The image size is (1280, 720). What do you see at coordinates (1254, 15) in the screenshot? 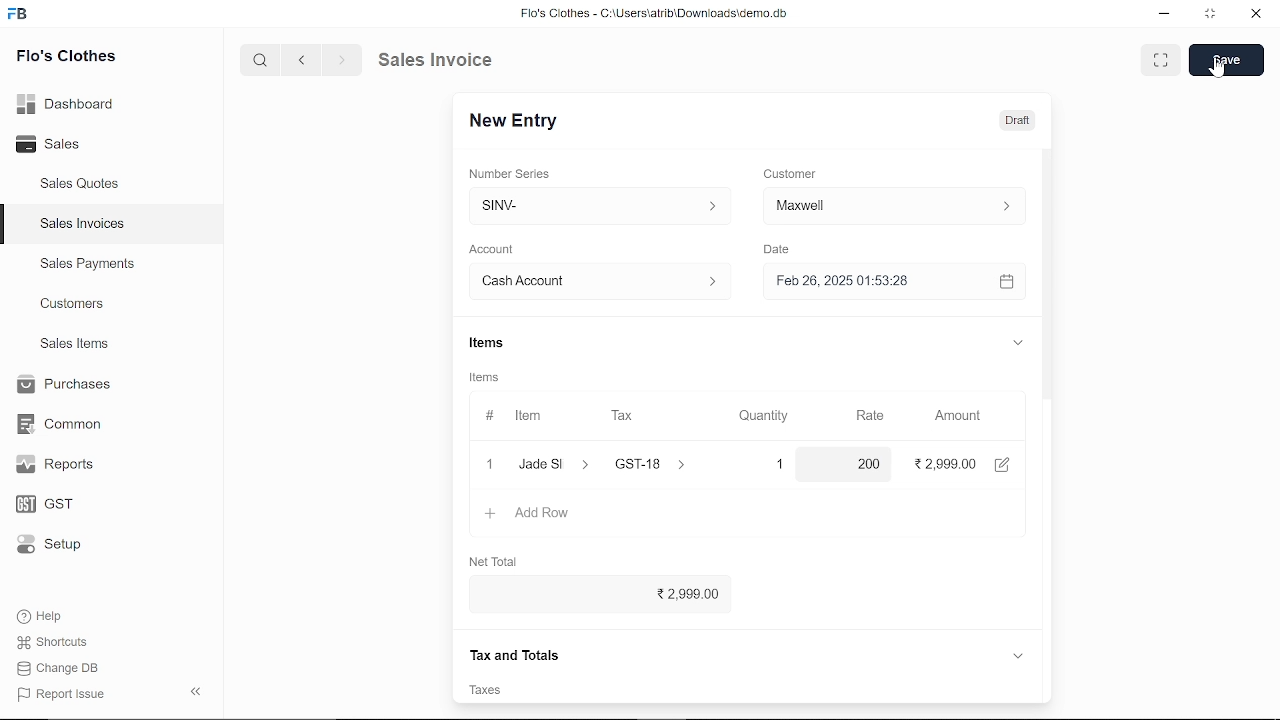
I see `close` at bounding box center [1254, 15].